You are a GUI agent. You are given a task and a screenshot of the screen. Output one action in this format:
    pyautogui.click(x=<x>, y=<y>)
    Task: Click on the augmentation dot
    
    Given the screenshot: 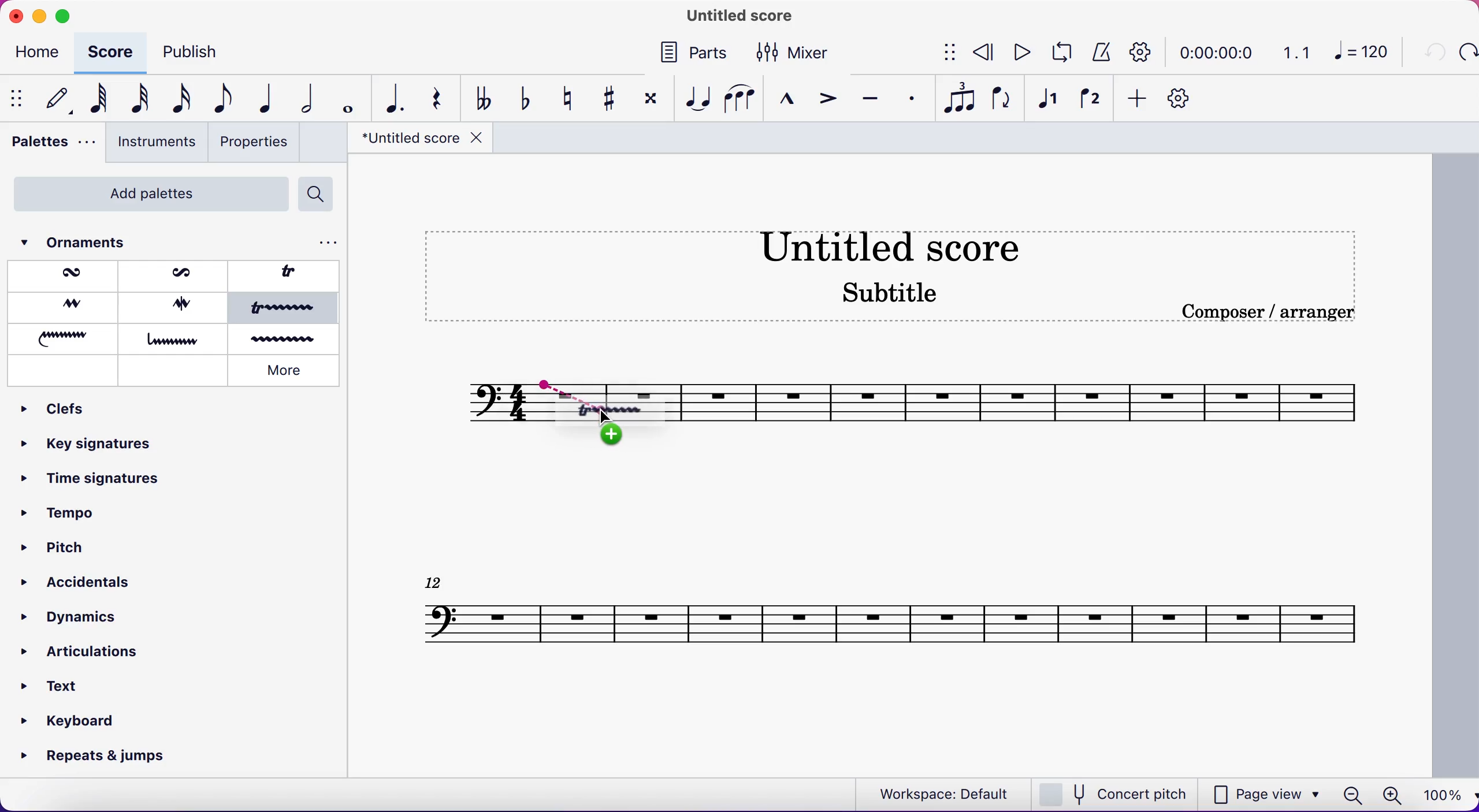 What is the action you would take?
    pyautogui.click(x=391, y=98)
    